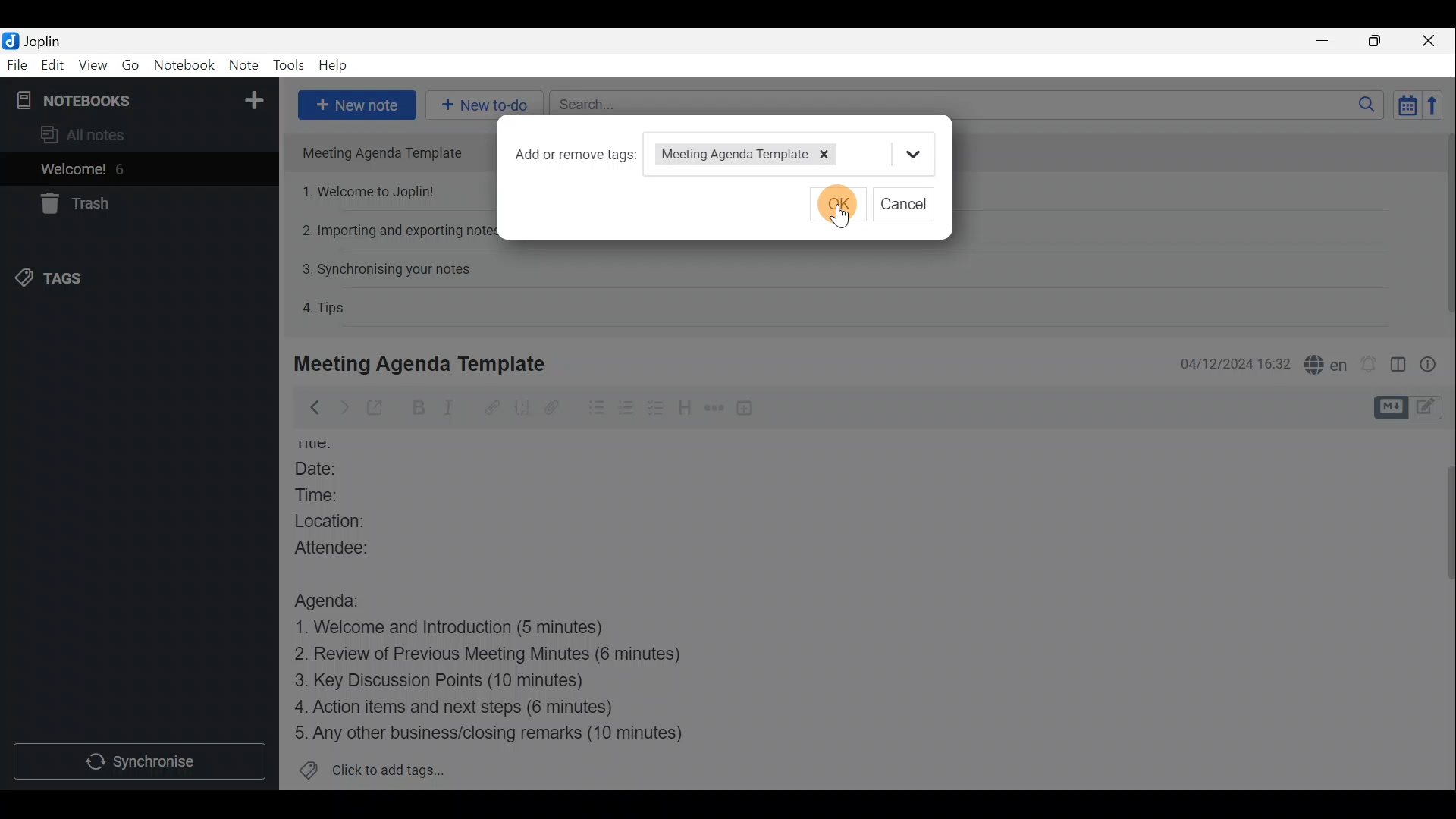 This screenshot has width=1456, height=819. What do you see at coordinates (72, 203) in the screenshot?
I see `Trash` at bounding box center [72, 203].